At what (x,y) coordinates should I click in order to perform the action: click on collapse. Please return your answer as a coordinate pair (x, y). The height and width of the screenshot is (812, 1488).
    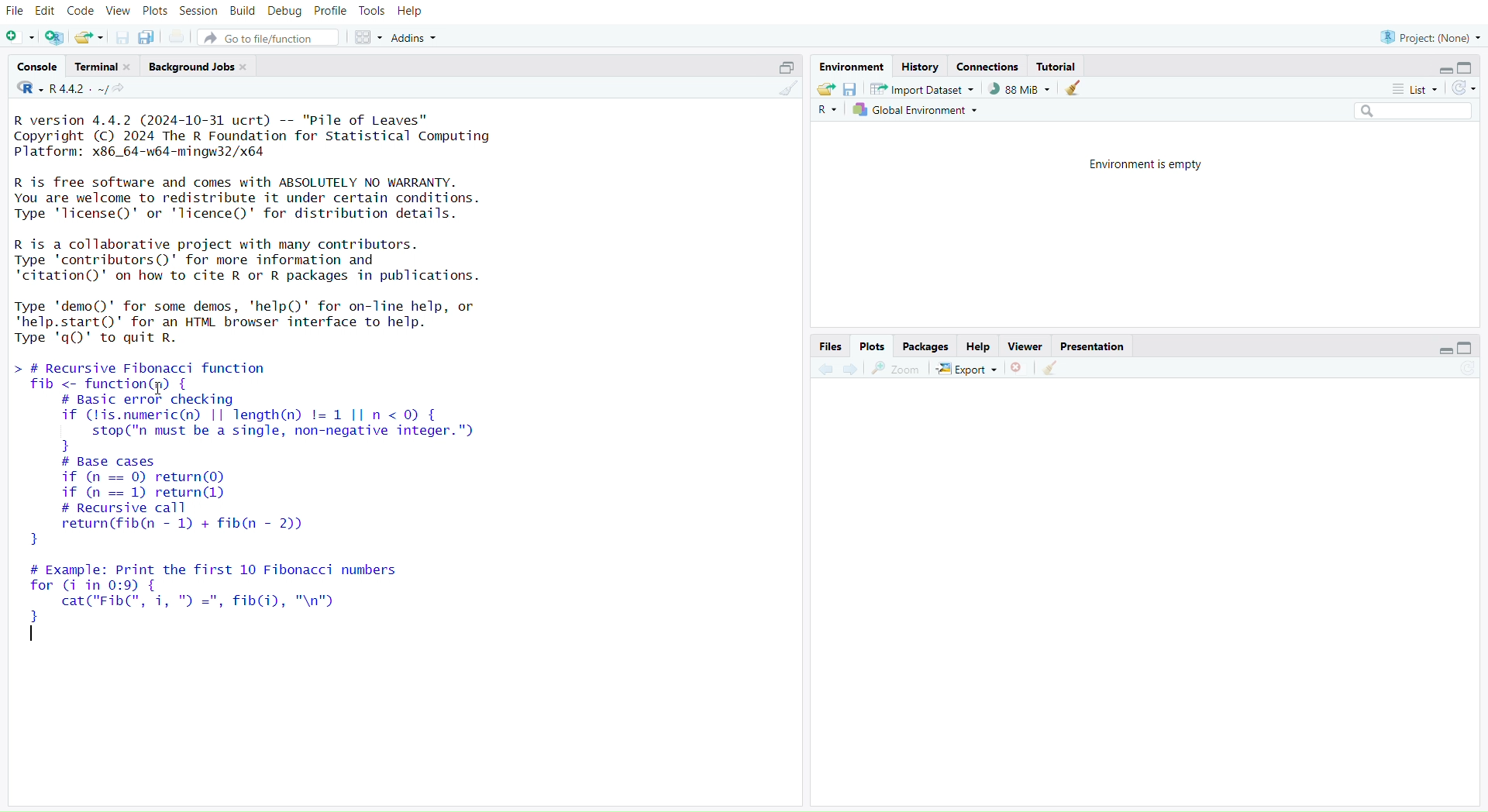
    Looking at the image, I should click on (1469, 67).